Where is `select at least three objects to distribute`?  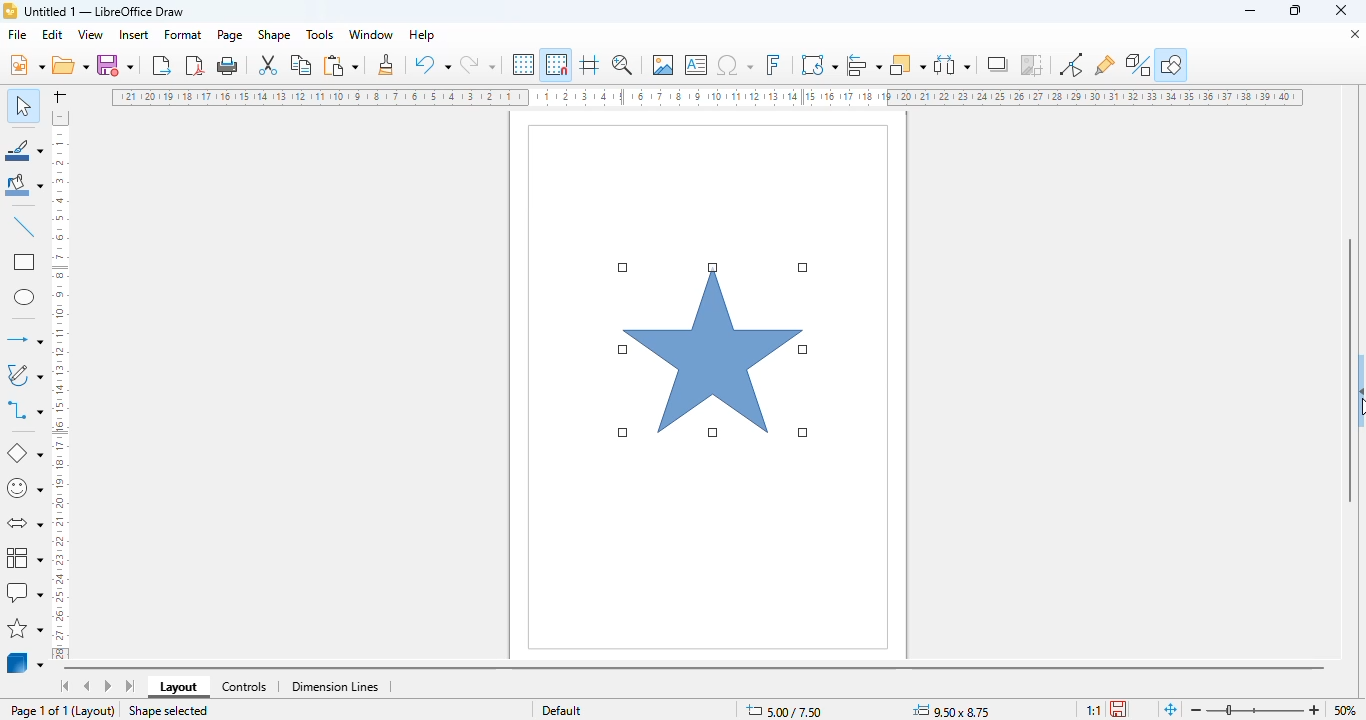 select at least three objects to distribute is located at coordinates (952, 64).